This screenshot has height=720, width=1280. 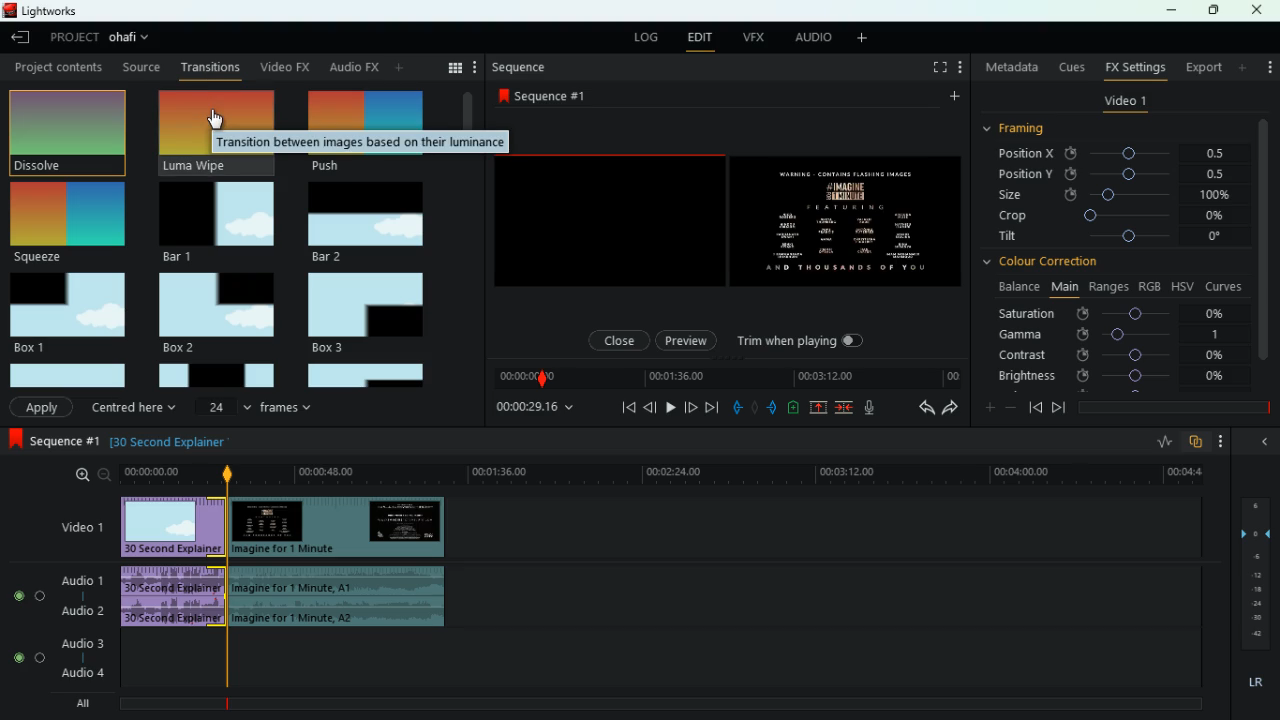 What do you see at coordinates (350, 599) in the screenshot?
I see `audio` at bounding box center [350, 599].